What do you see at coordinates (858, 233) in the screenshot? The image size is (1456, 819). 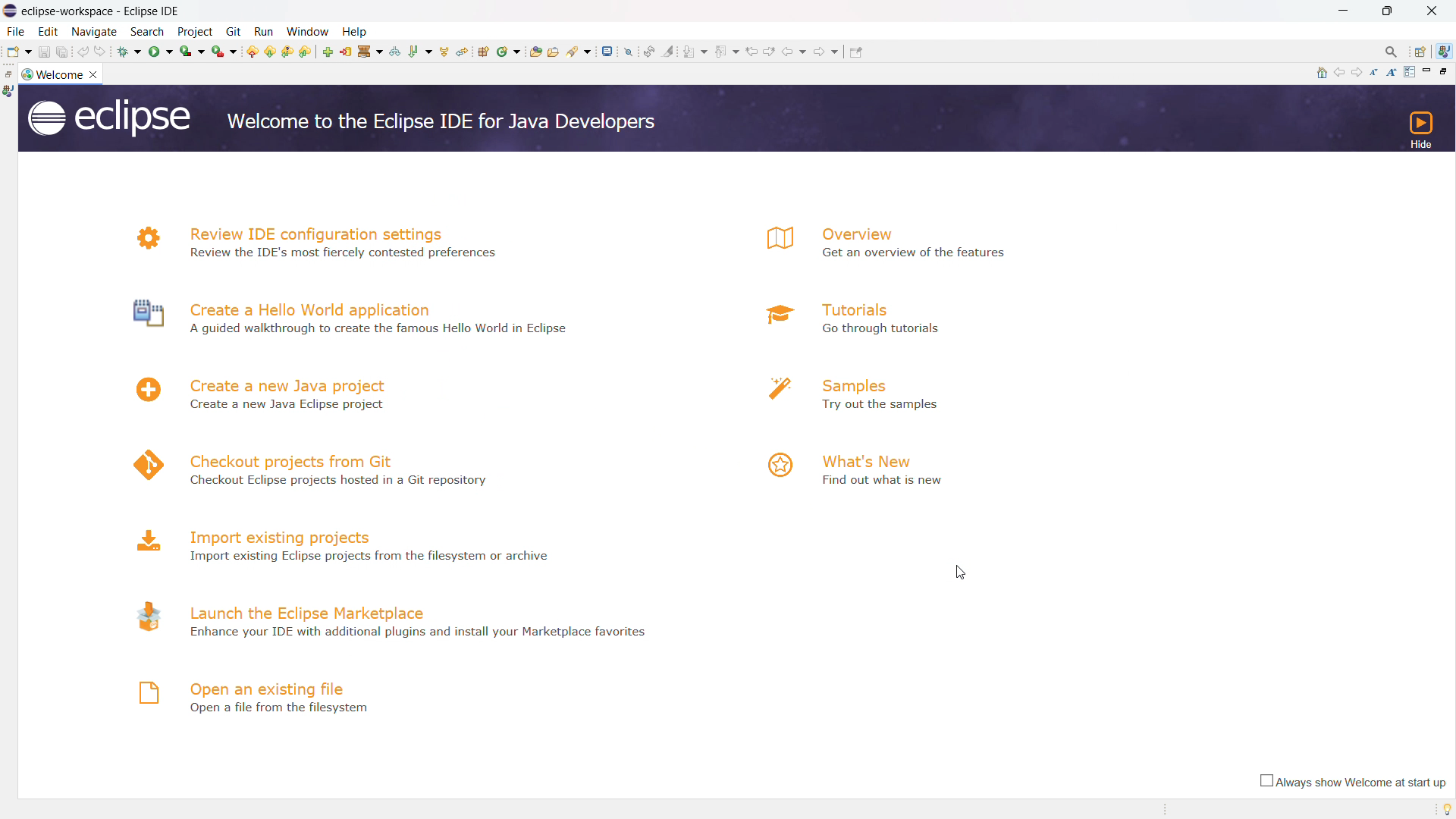 I see `overview` at bounding box center [858, 233].